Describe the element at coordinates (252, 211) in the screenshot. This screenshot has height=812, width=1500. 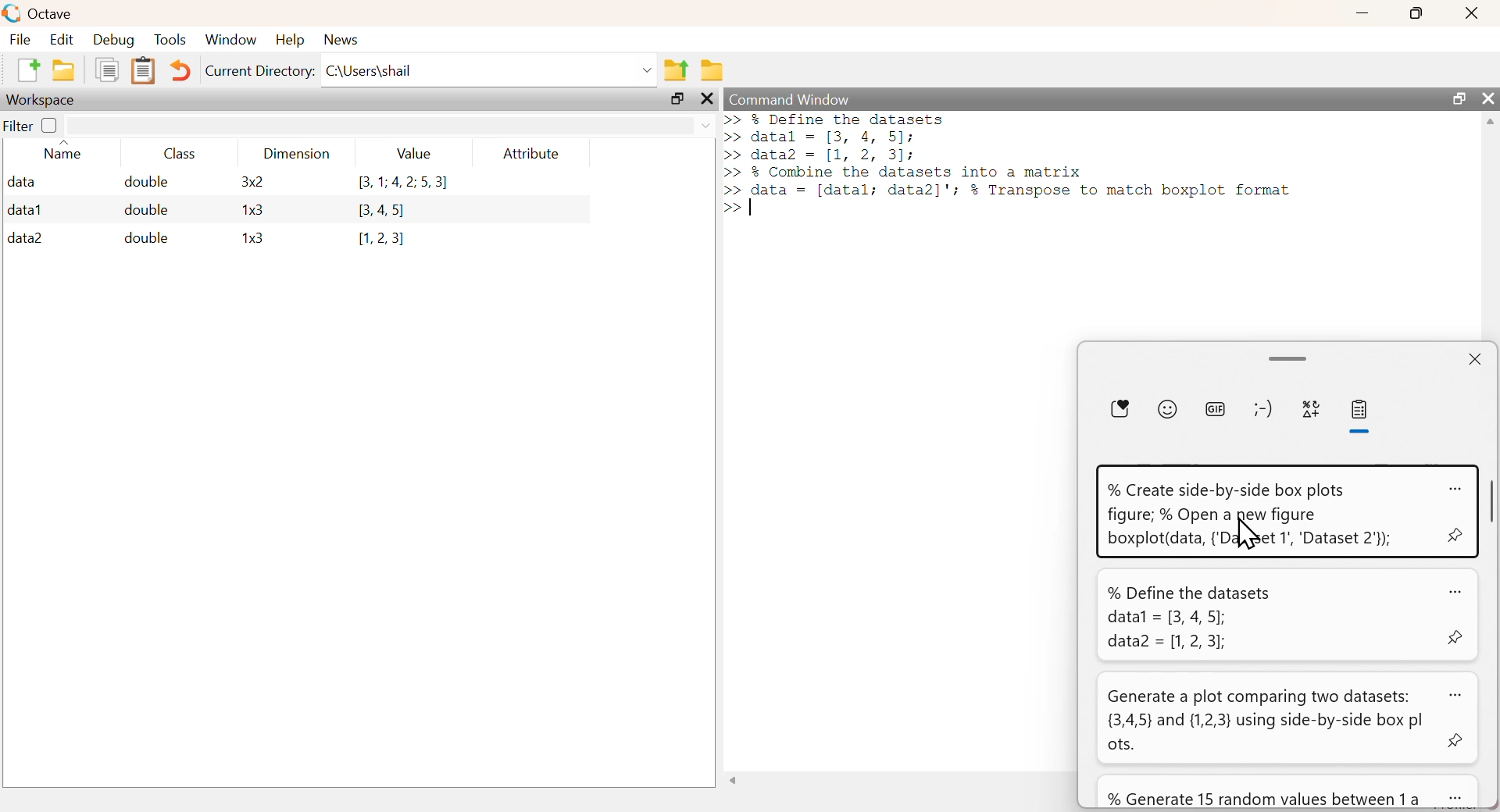
I see `1x3` at that location.